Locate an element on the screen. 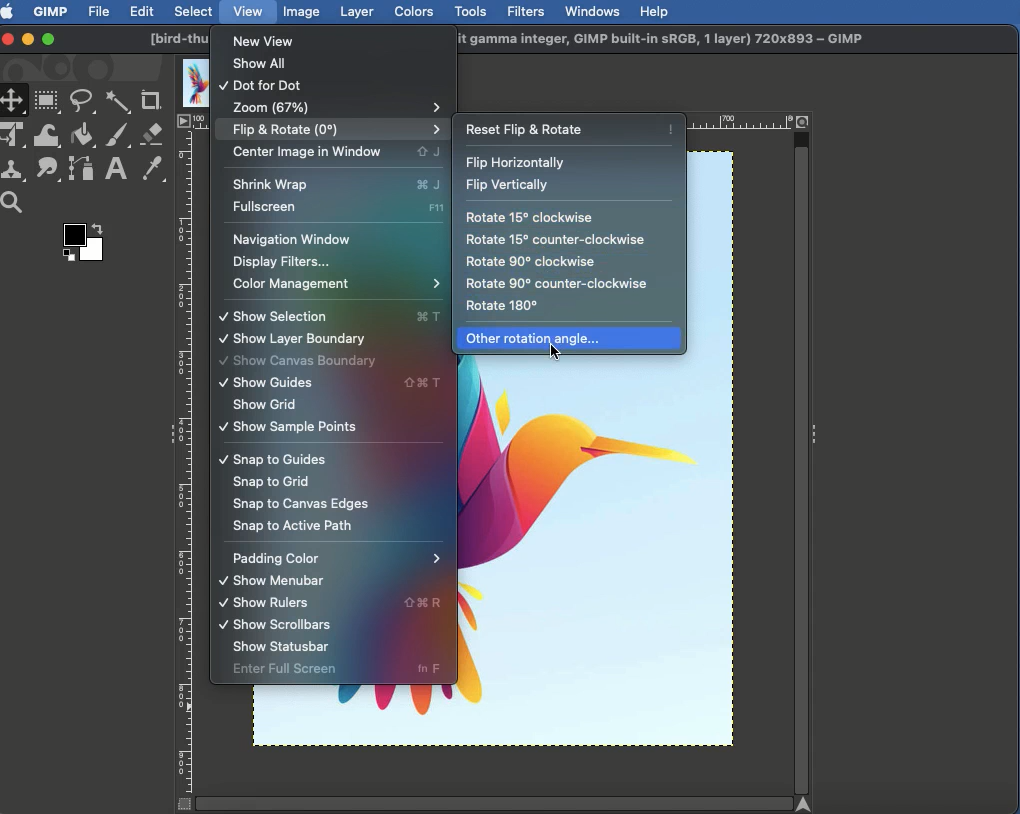 This screenshot has height=814, width=1020. [bird-thumbnail] (imported)-3.0 (RGB color 8-bit gamma integer, GIMP built-in SRGB, 1 layer) 720x893 ~ GIMP. is located at coordinates (670, 40).